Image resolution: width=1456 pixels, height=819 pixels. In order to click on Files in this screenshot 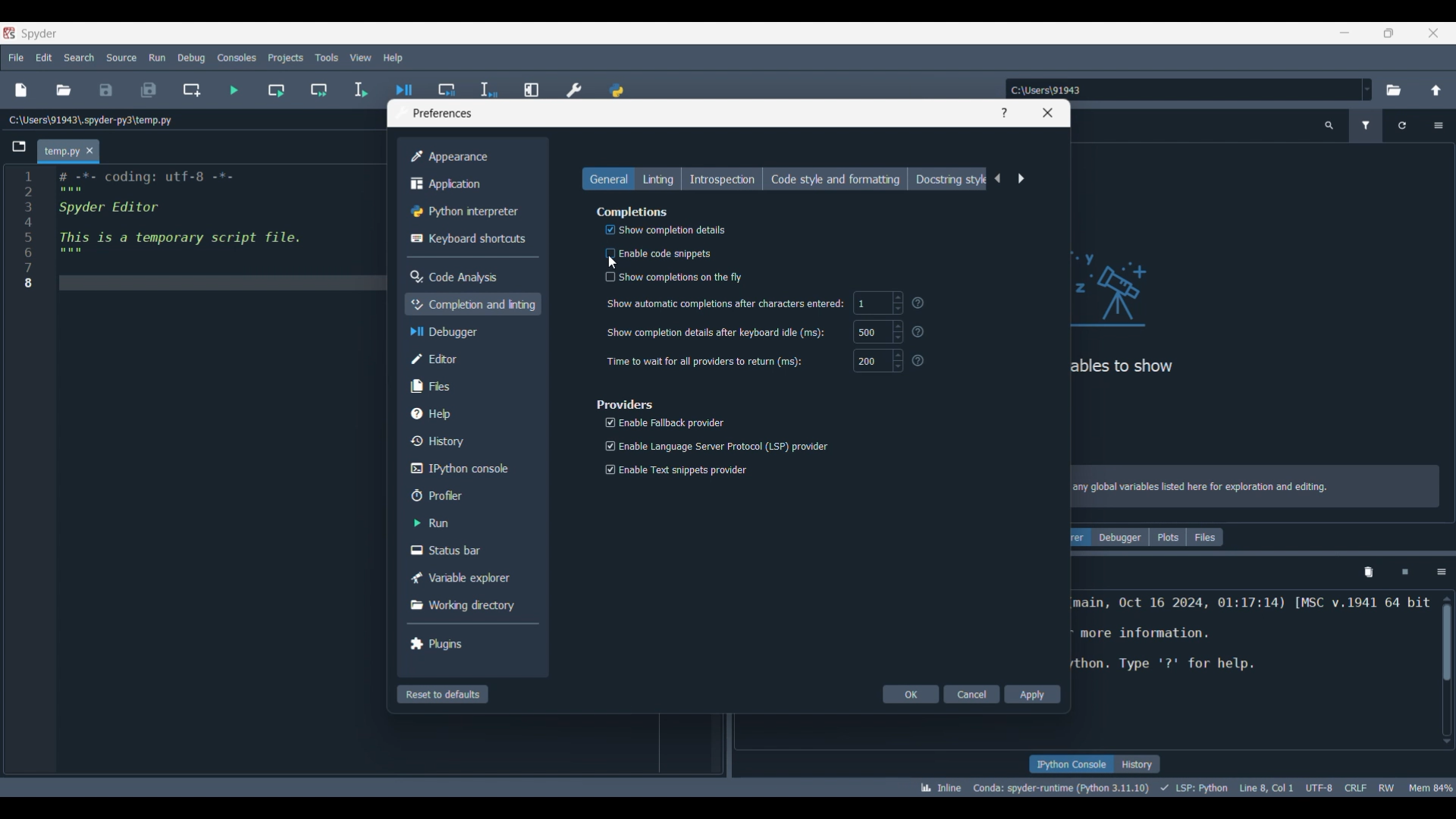, I will do `click(1205, 537)`.